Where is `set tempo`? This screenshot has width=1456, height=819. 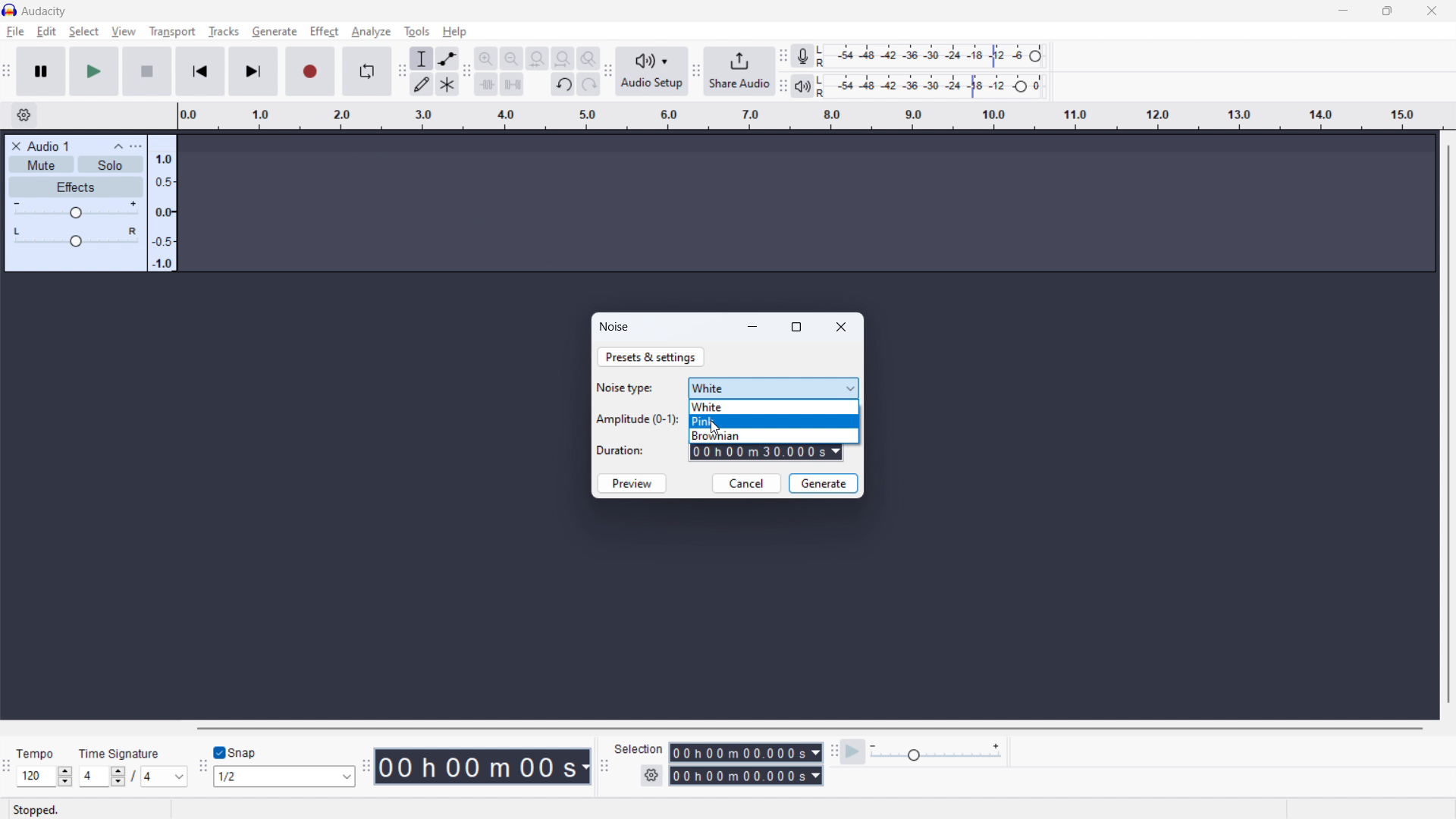
set tempo is located at coordinates (44, 777).